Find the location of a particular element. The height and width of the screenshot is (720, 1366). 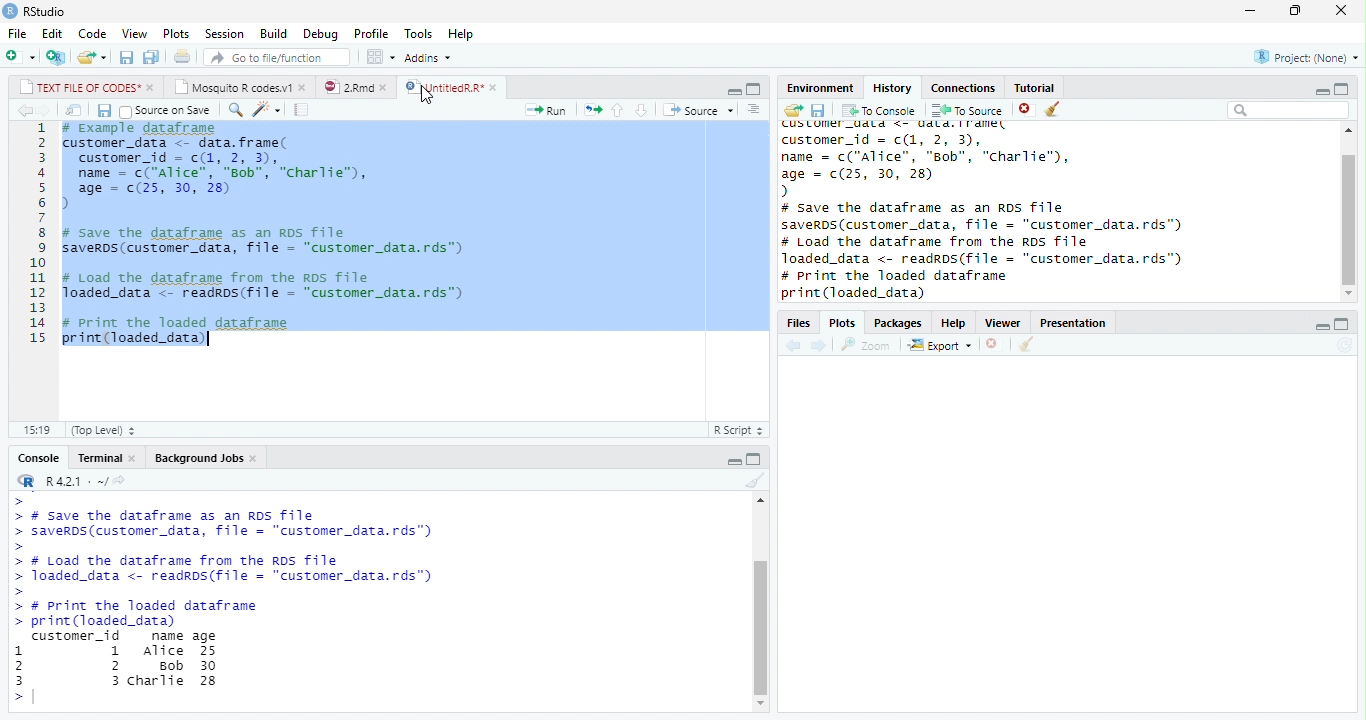

# Save the dataframe as an RDS file
saverDS (customer_data, file = "customer_data.rds") is located at coordinates (991, 216).